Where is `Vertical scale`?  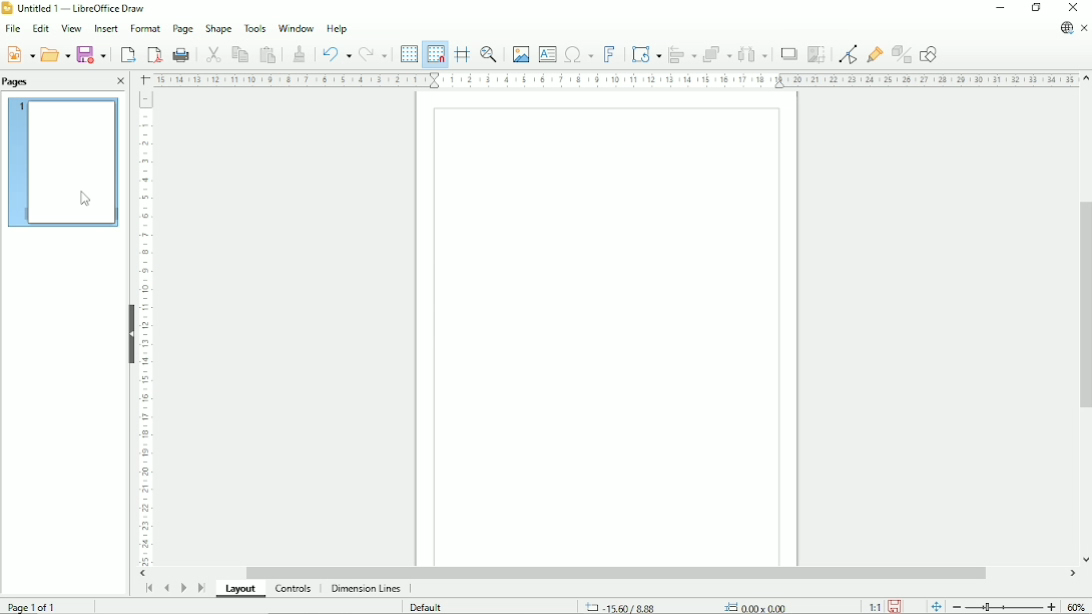
Vertical scale is located at coordinates (145, 328).